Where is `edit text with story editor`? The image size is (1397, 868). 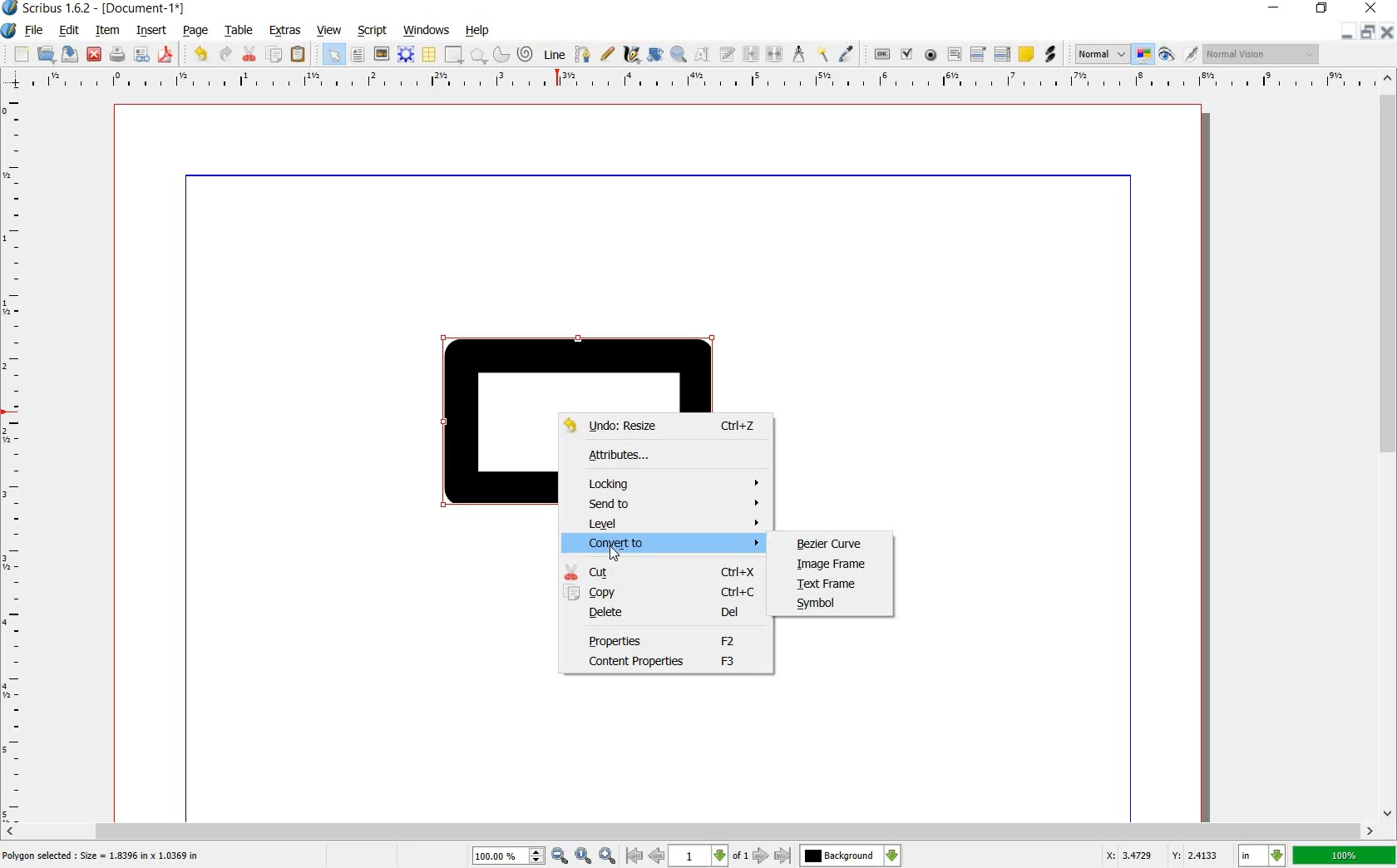 edit text with story editor is located at coordinates (728, 54).